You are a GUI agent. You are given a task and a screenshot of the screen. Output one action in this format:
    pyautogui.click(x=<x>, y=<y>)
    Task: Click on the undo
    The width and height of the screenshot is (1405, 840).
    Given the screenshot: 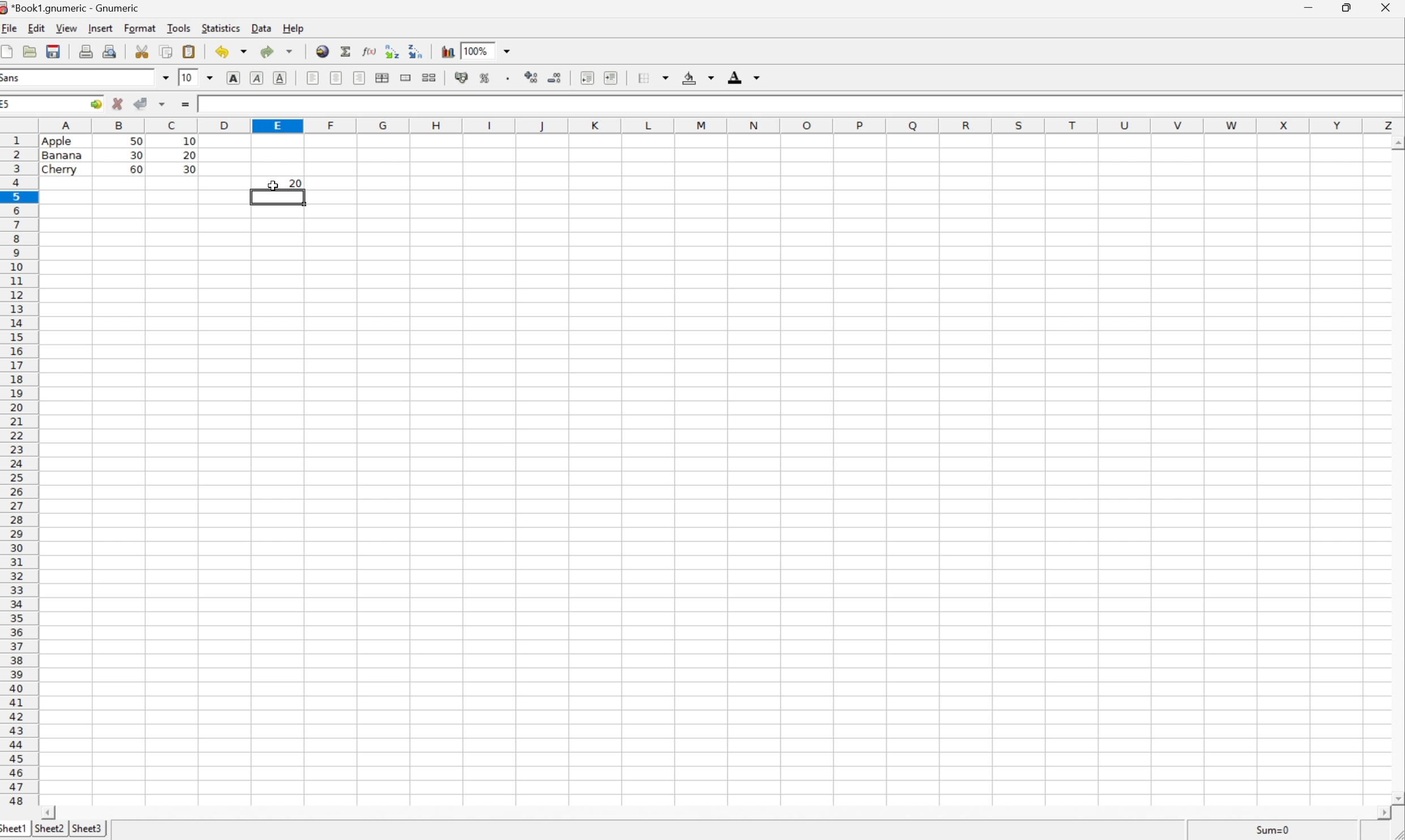 What is the action you would take?
    pyautogui.click(x=232, y=50)
    